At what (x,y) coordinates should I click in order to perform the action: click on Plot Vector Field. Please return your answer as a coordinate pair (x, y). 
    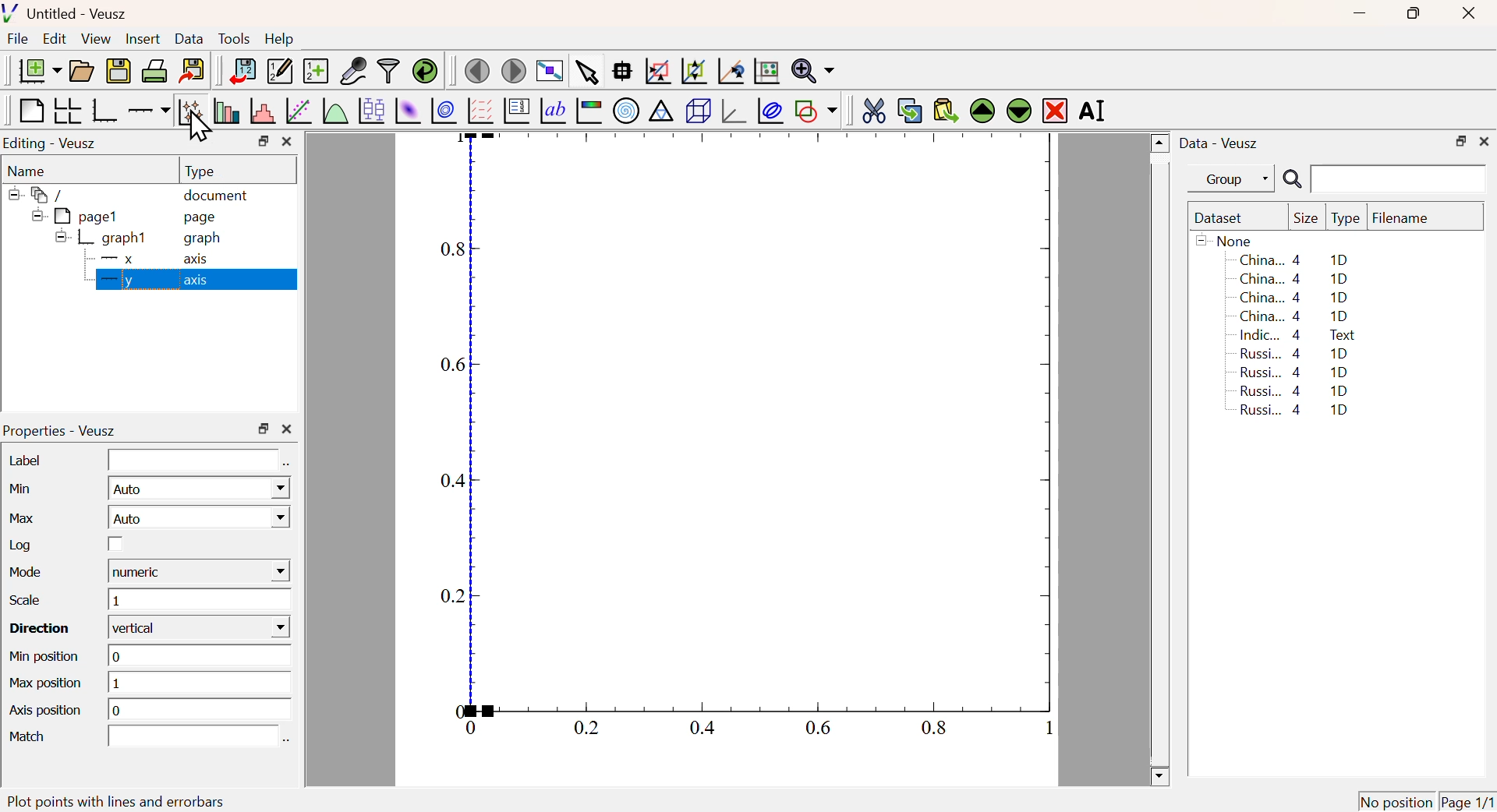
    Looking at the image, I should click on (478, 110).